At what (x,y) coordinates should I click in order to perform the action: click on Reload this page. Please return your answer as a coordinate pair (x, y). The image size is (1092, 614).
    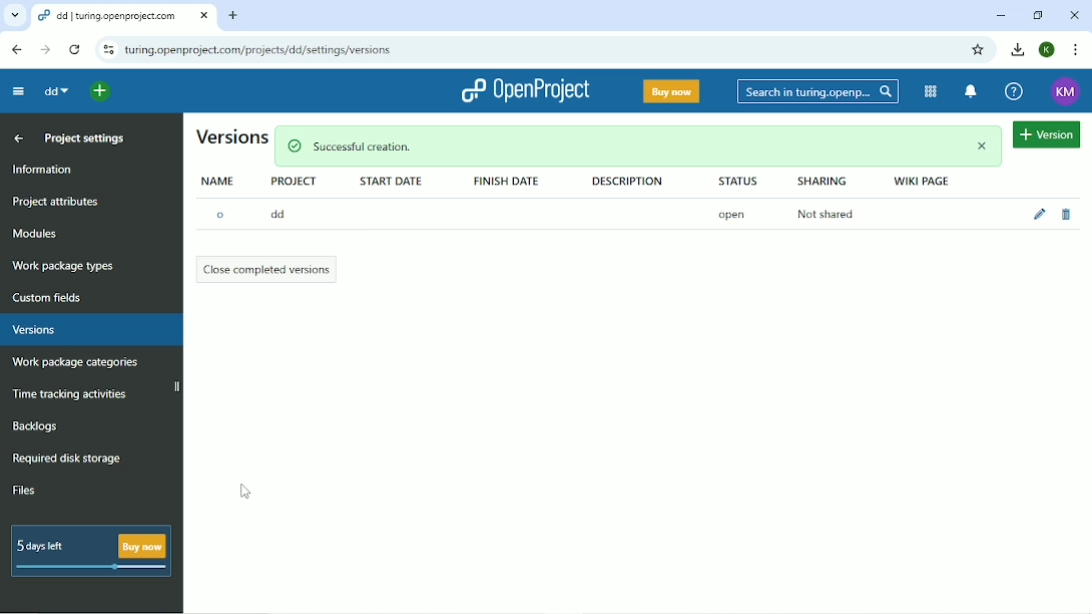
    Looking at the image, I should click on (74, 50).